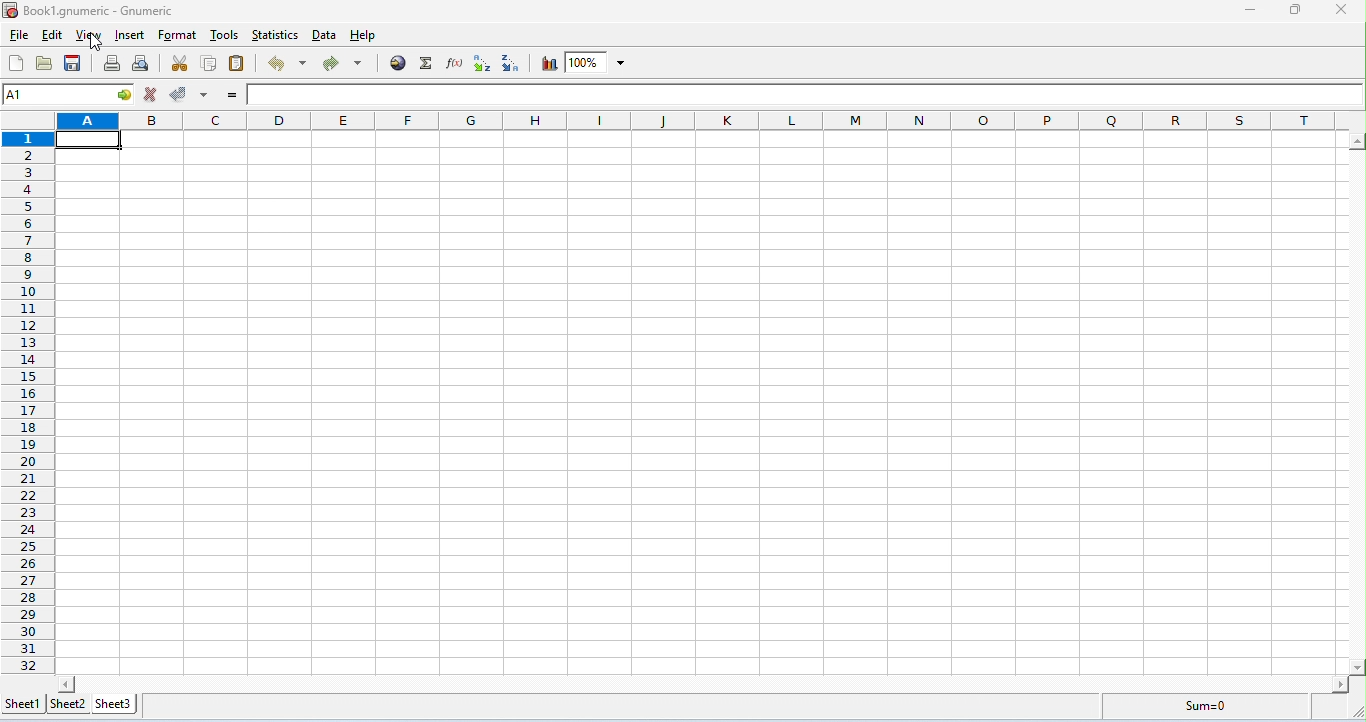  Describe the element at coordinates (364, 38) in the screenshot. I see `help` at that location.